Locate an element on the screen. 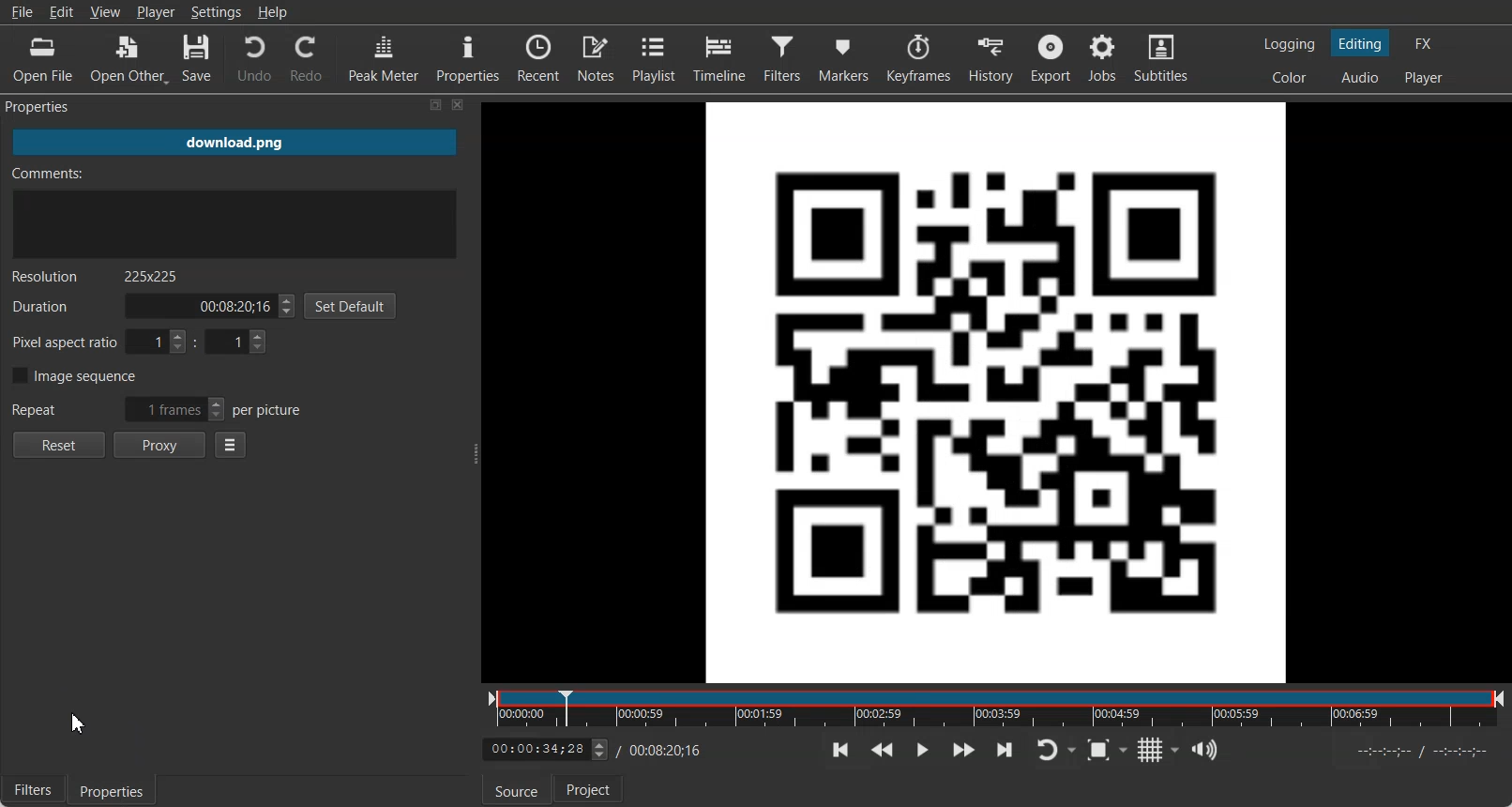 This screenshot has height=807, width=1512. Toggle play or Pause is located at coordinates (922, 749).